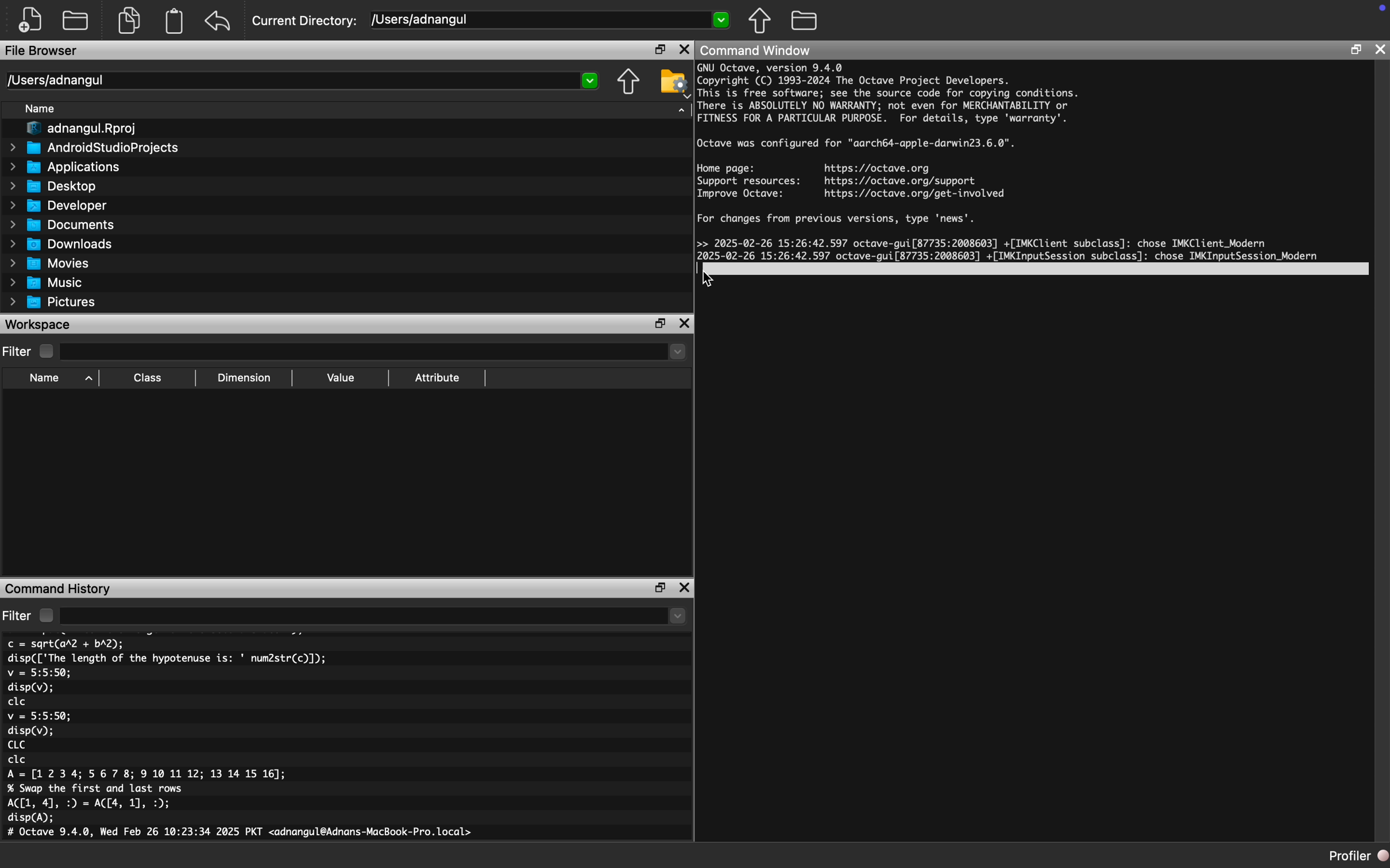  I want to click on disp(['The length of the hypotenuse is: ' num2str(c)]);, so click(168, 658).